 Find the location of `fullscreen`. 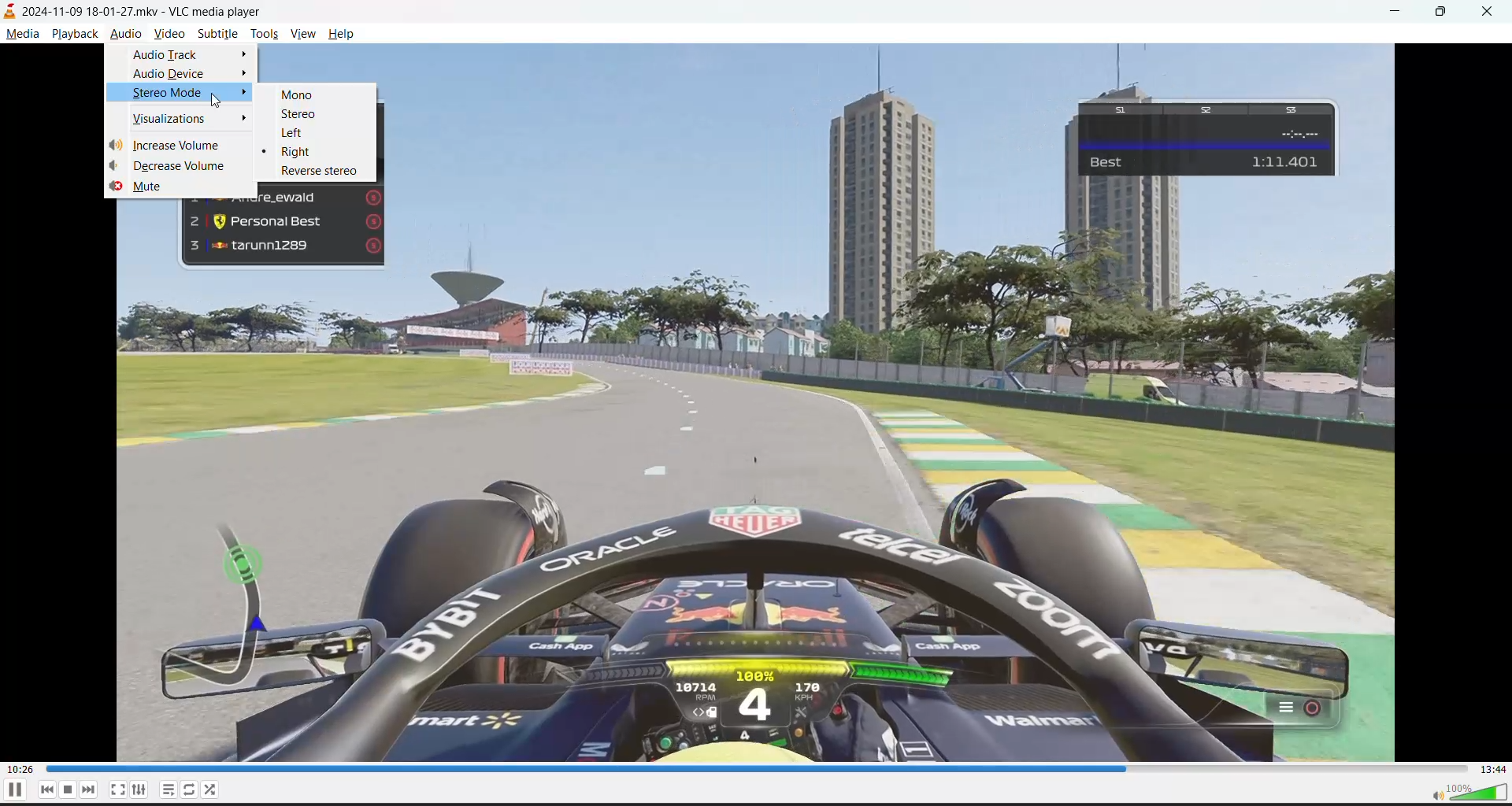

fullscreen is located at coordinates (117, 790).